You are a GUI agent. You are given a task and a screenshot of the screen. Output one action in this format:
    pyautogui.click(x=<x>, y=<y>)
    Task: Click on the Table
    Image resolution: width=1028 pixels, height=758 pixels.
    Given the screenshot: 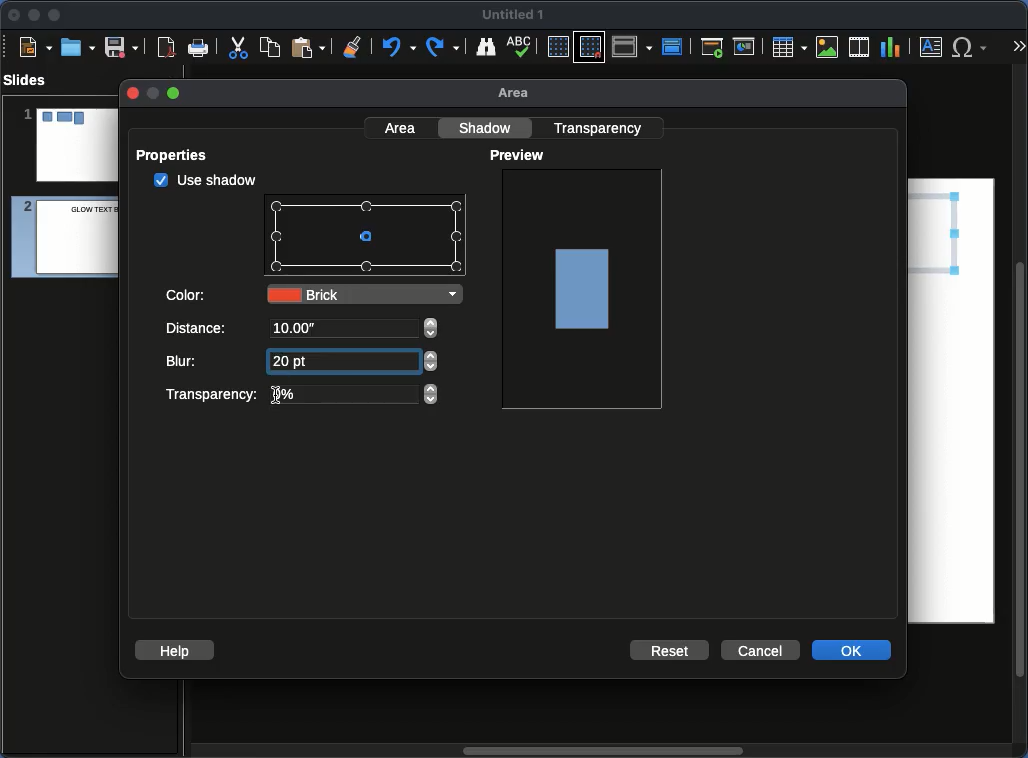 What is the action you would take?
    pyautogui.click(x=788, y=46)
    